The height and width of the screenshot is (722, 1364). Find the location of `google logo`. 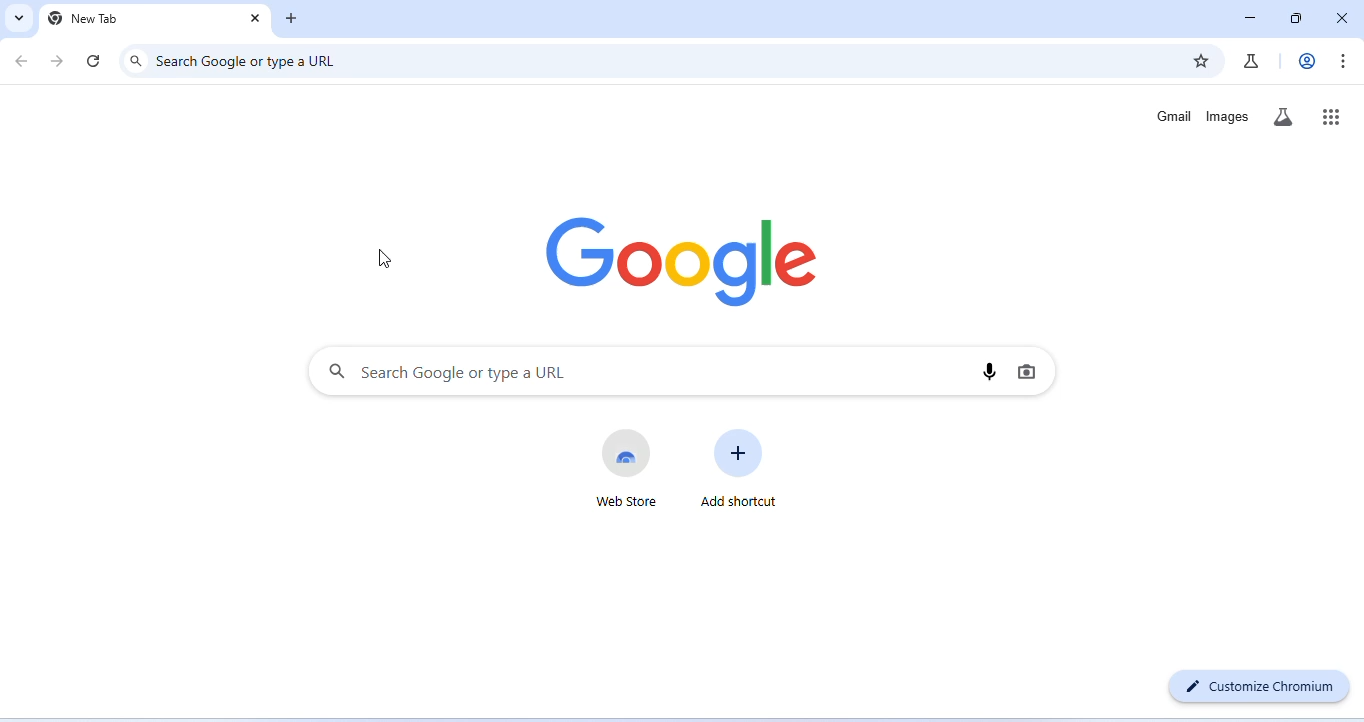

google logo is located at coordinates (680, 265).